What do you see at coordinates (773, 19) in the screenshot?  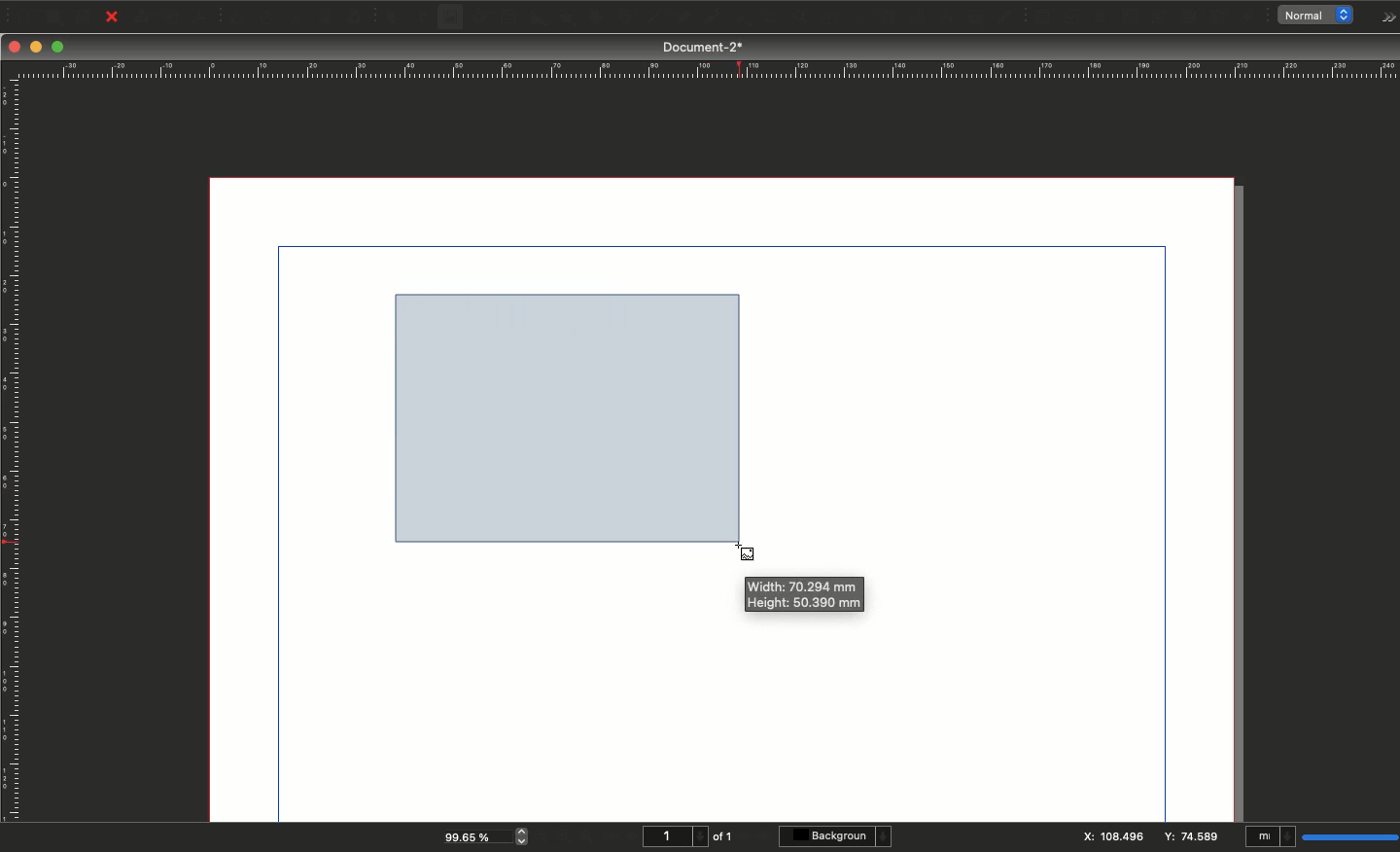 I see `Zoom in or out` at bounding box center [773, 19].